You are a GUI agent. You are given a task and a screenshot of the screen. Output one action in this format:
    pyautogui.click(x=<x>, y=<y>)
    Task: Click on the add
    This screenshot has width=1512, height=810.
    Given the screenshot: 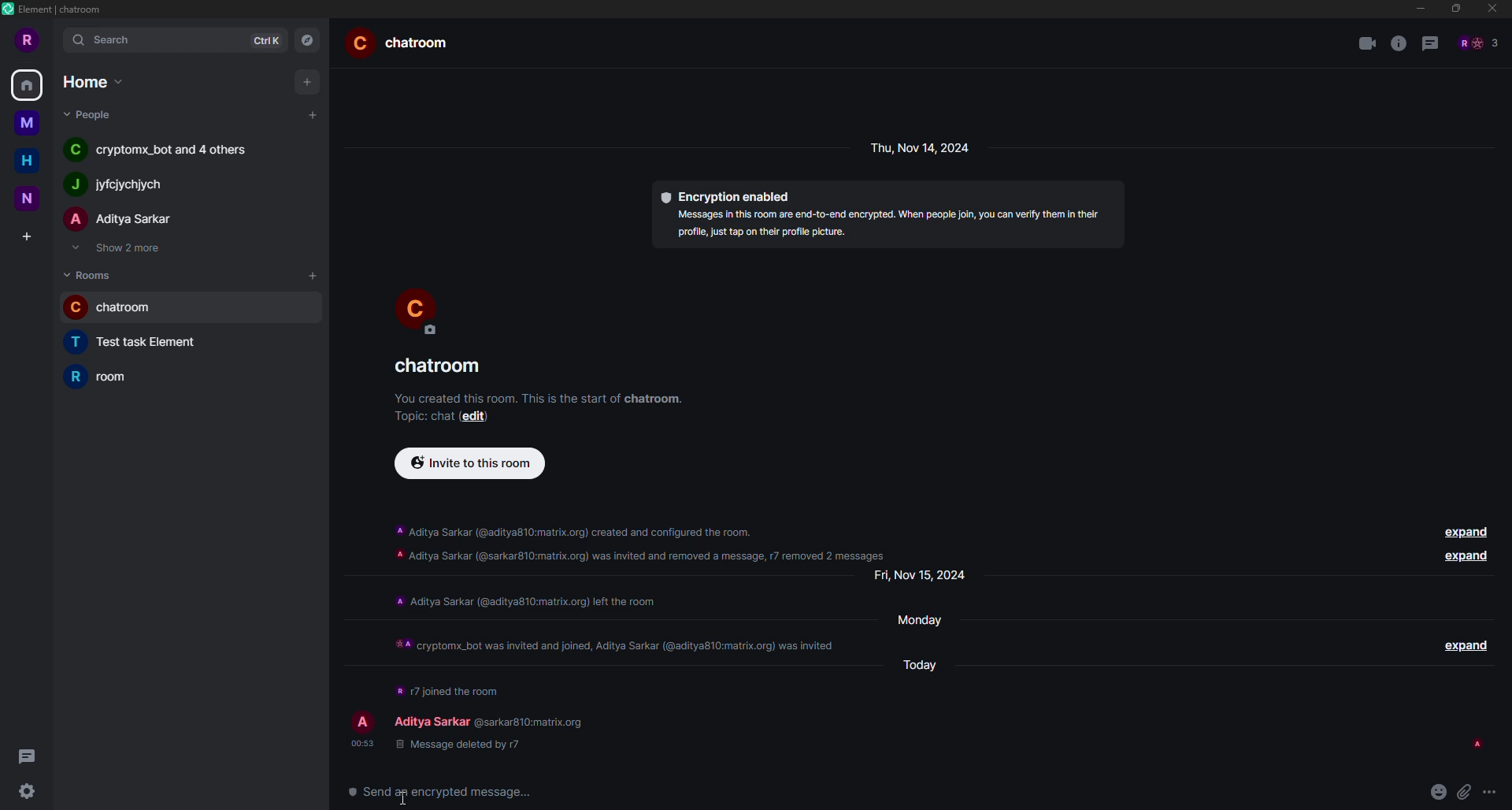 What is the action you would take?
    pyautogui.click(x=305, y=81)
    